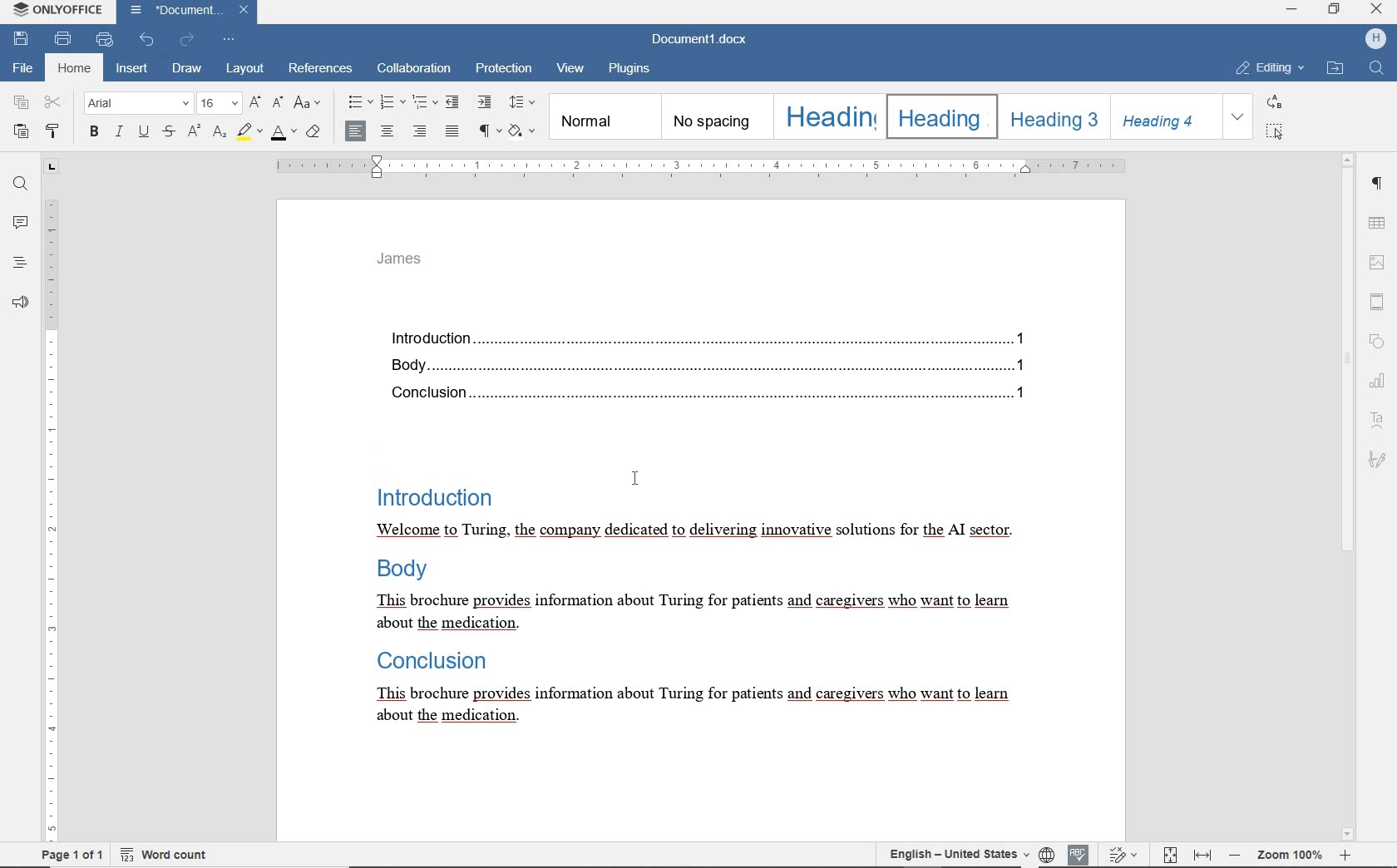 The width and height of the screenshot is (1397, 868). I want to click on collaboration, so click(415, 70).